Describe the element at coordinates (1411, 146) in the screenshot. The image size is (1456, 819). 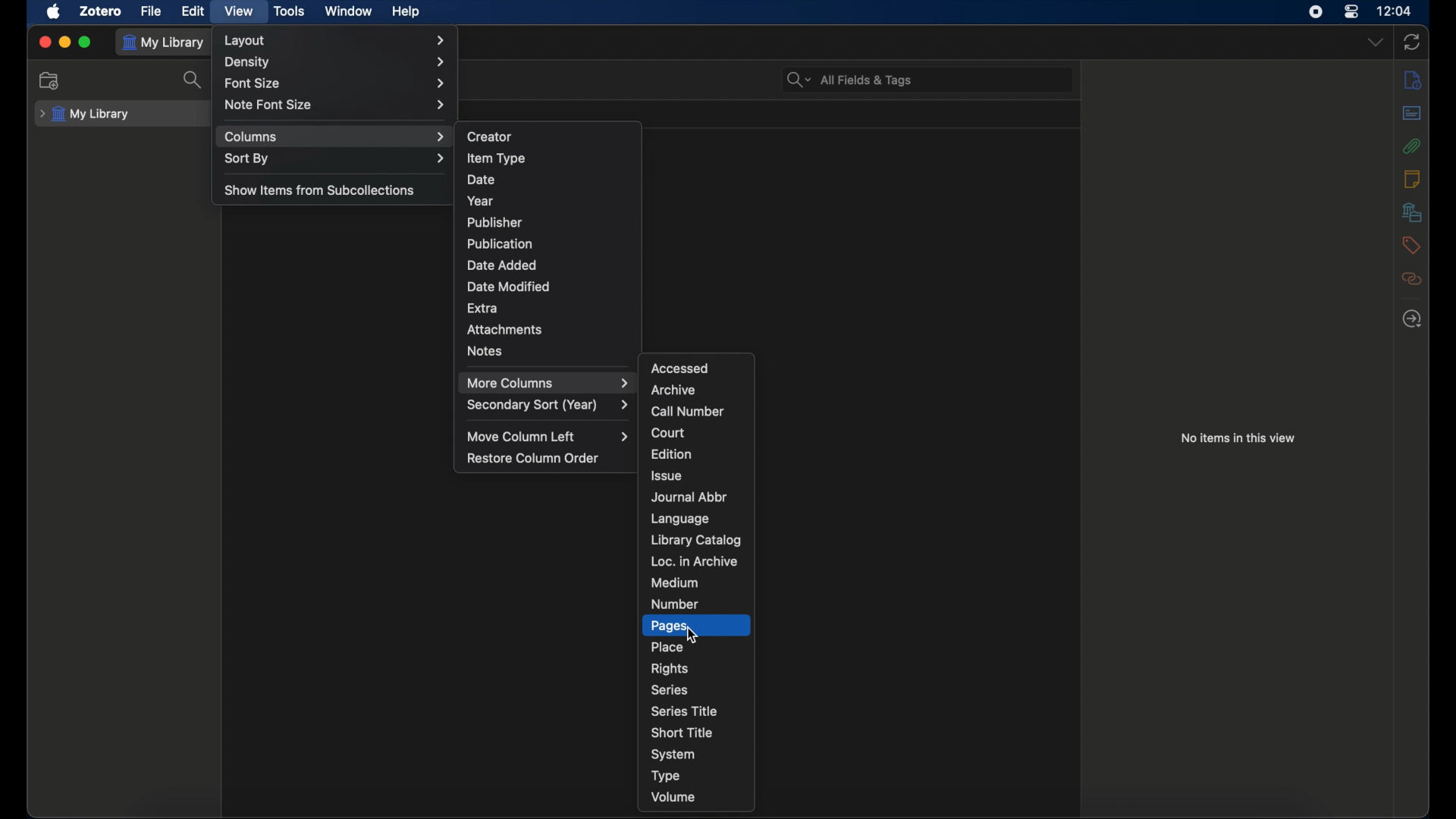
I see `attachments` at that location.